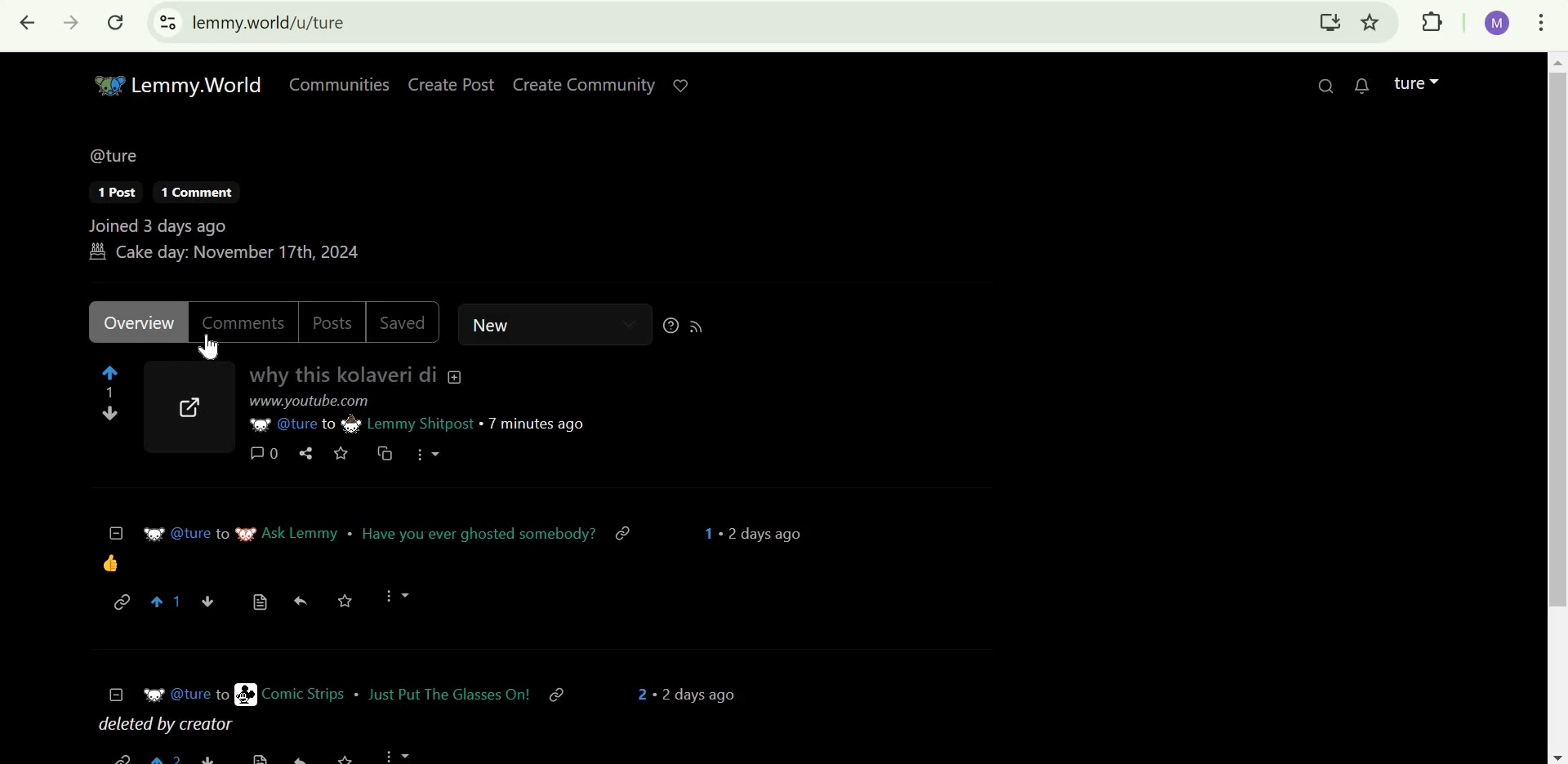 Image resolution: width=1568 pixels, height=764 pixels. Describe the element at coordinates (758, 533) in the screenshot. I see `1 . 2 days go` at that location.